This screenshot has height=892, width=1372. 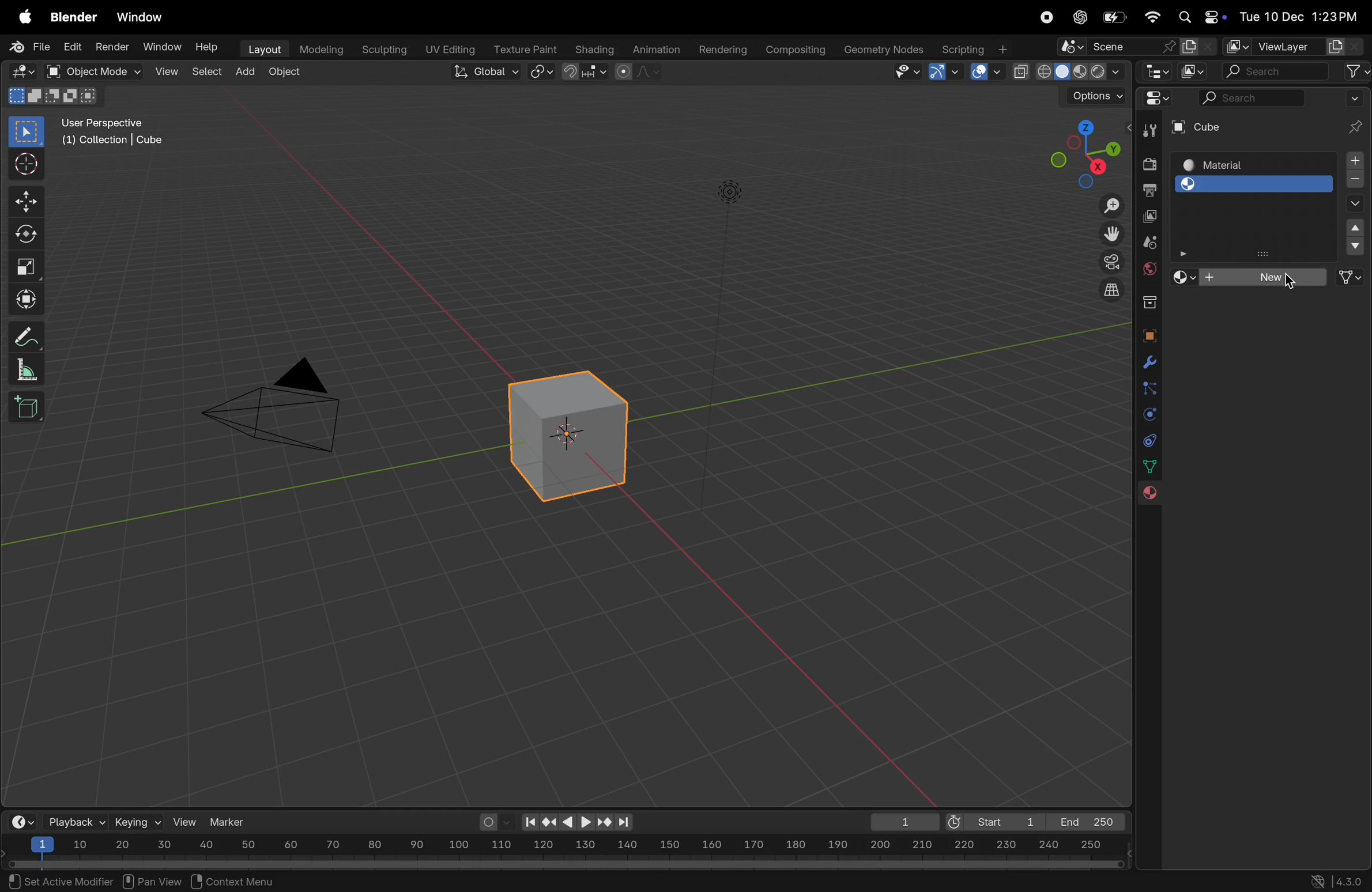 I want to click on annotate, so click(x=22, y=336).